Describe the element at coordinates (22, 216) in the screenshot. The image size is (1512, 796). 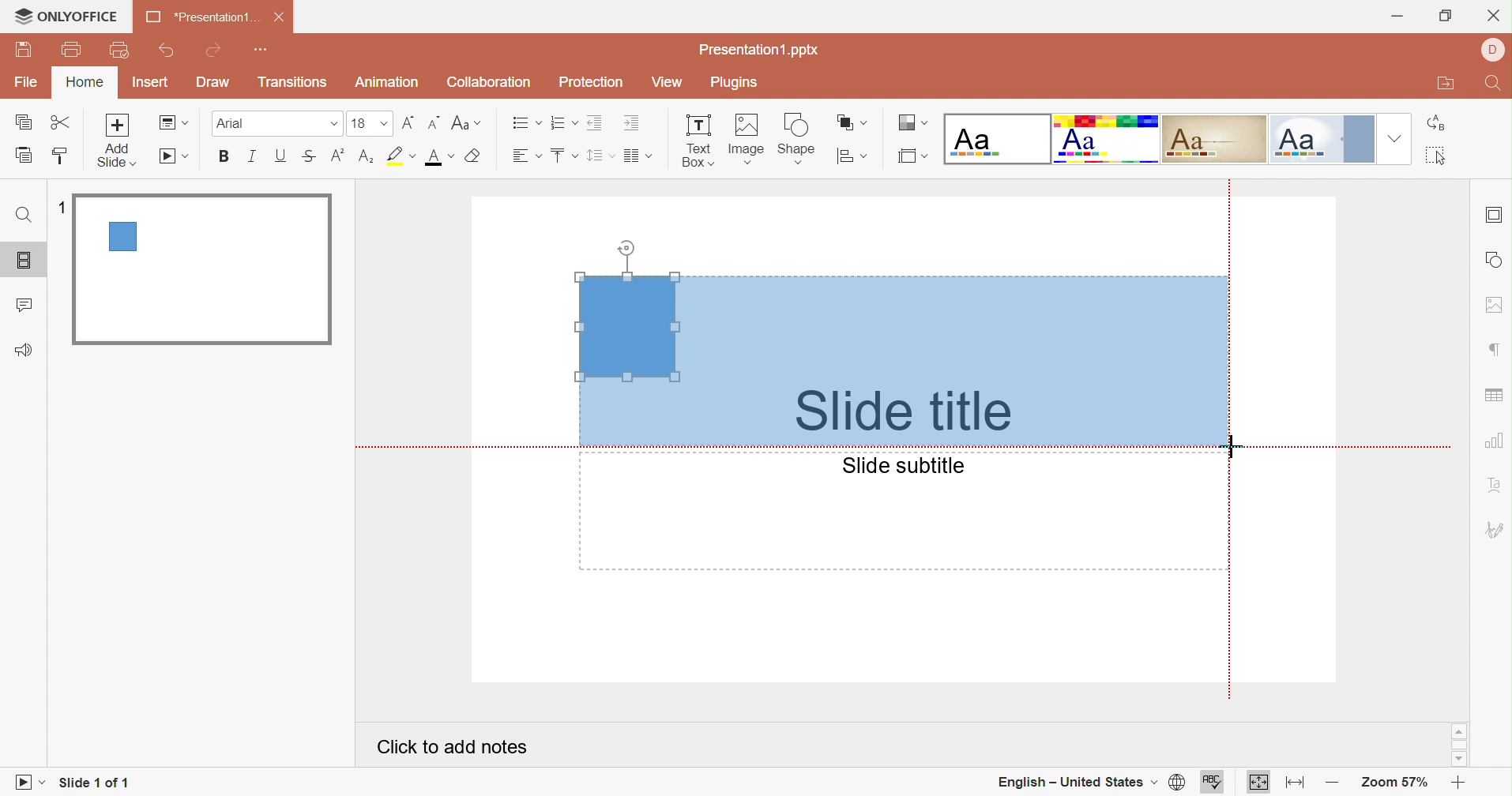
I see `Find` at that location.